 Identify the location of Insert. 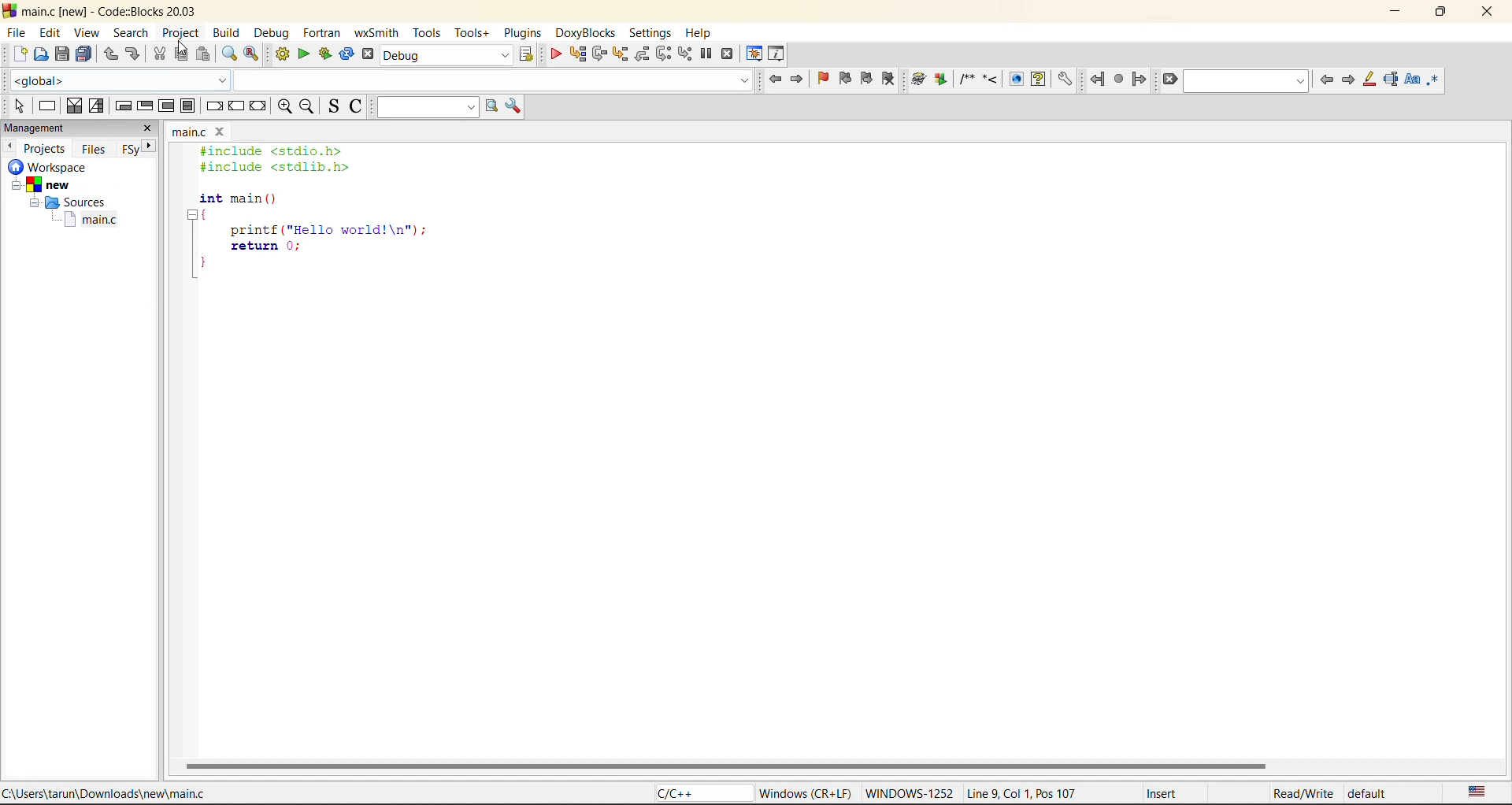
(1161, 793).